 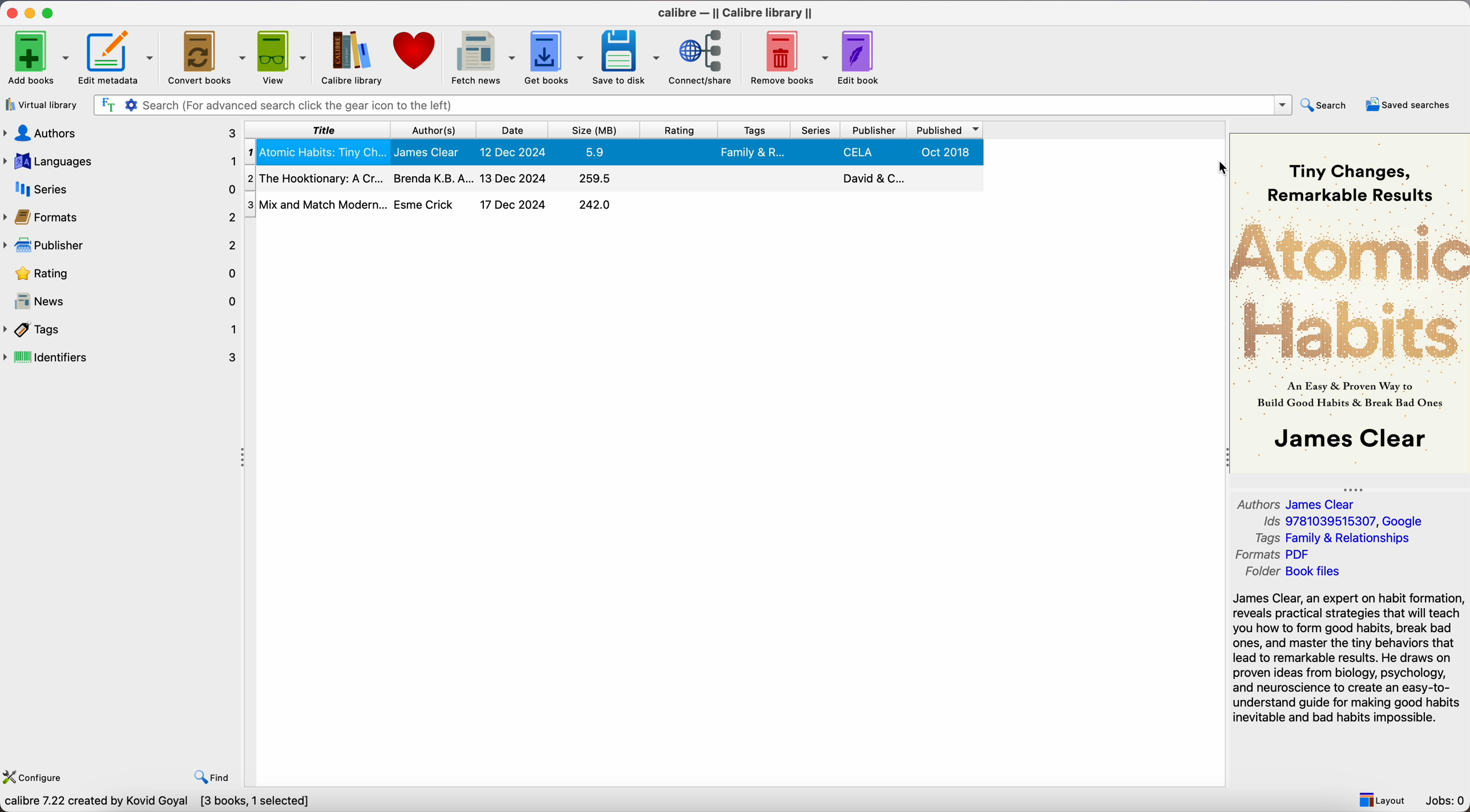 I want to click on Convert books, so click(x=205, y=56).